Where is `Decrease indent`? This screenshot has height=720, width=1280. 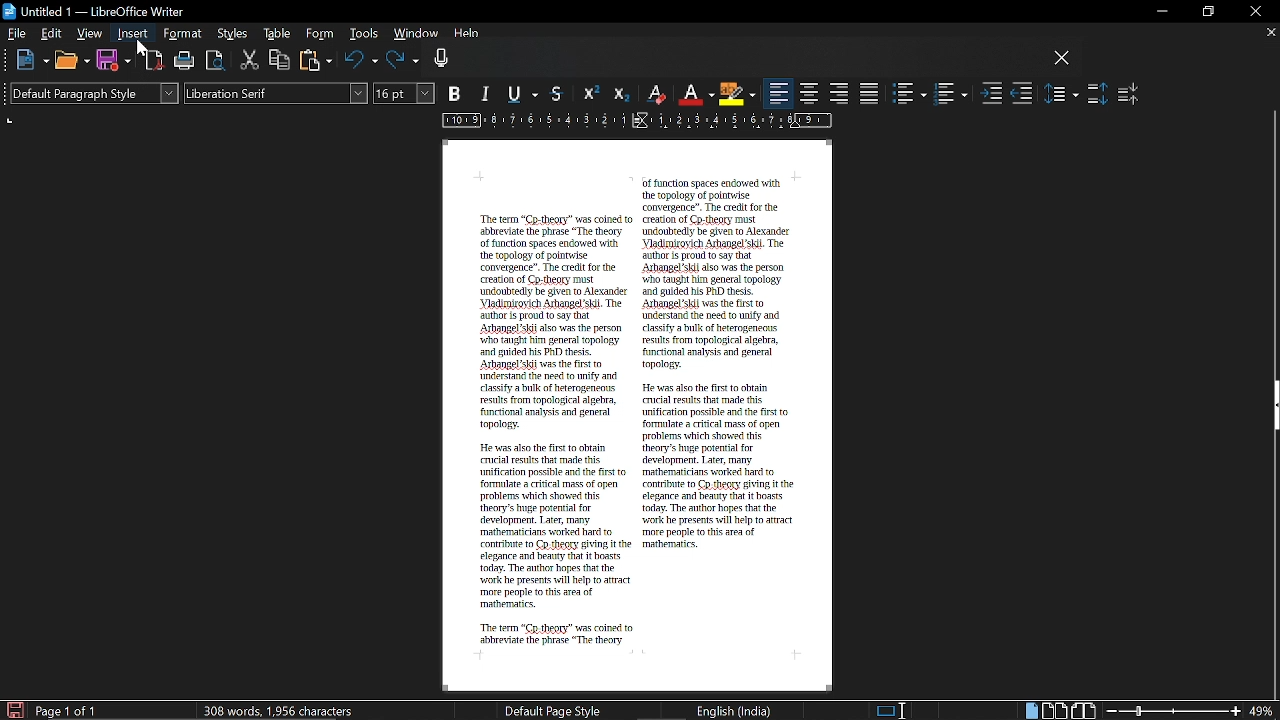
Decrease indent is located at coordinates (1022, 95).